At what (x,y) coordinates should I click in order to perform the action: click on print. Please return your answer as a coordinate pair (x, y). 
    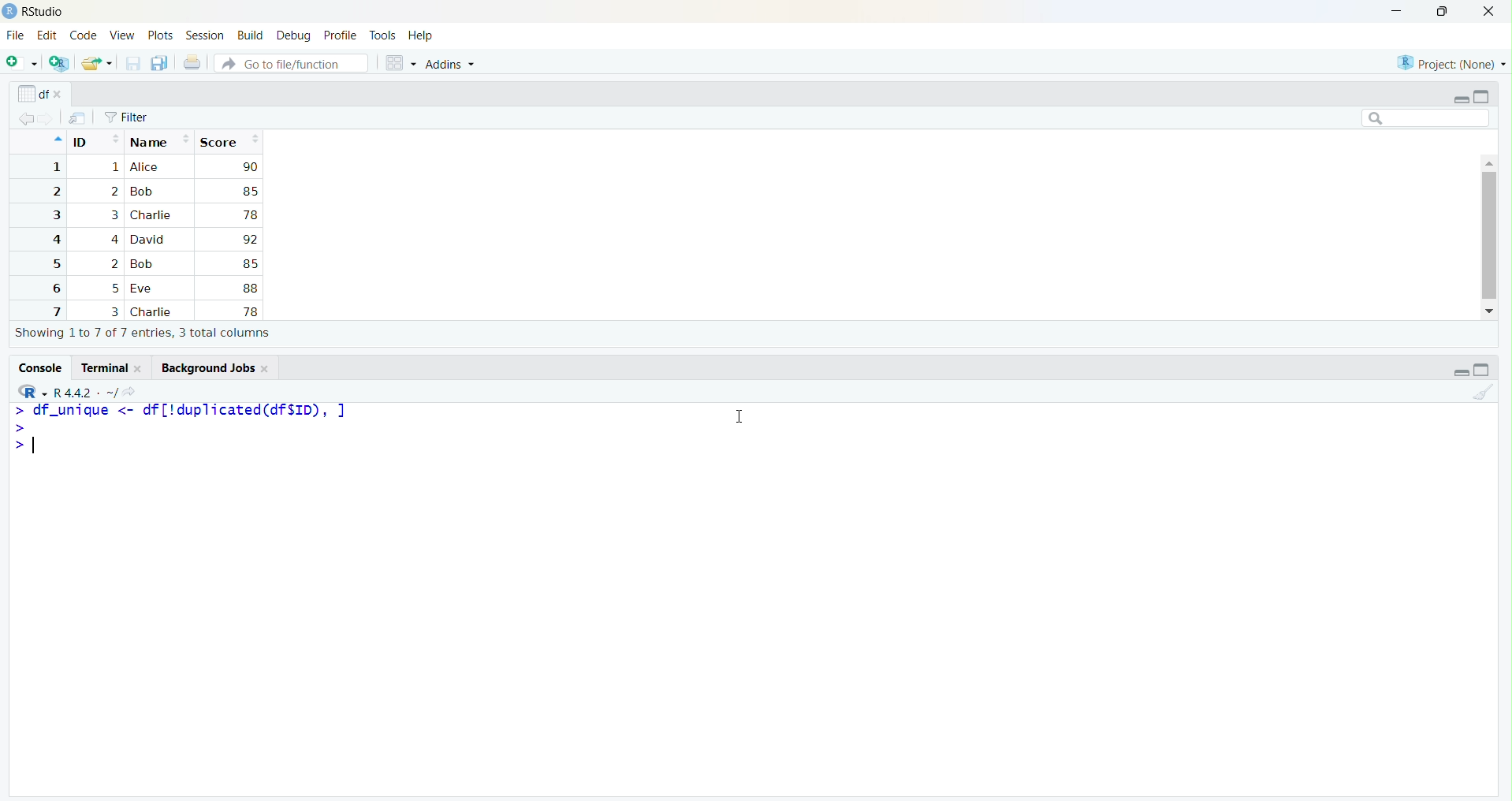
    Looking at the image, I should click on (192, 62).